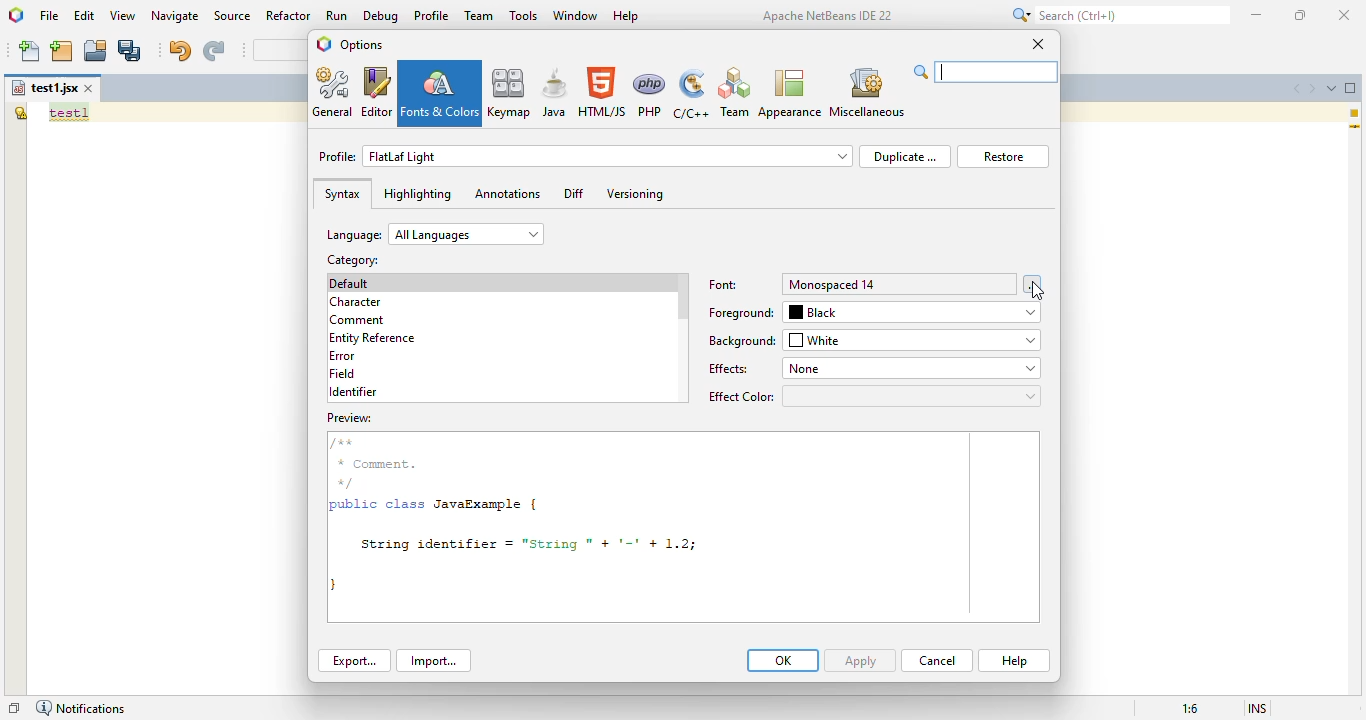 The height and width of the screenshot is (720, 1366). What do you see at coordinates (937, 660) in the screenshot?
I see `cancel` at bounding box center [937, 660].